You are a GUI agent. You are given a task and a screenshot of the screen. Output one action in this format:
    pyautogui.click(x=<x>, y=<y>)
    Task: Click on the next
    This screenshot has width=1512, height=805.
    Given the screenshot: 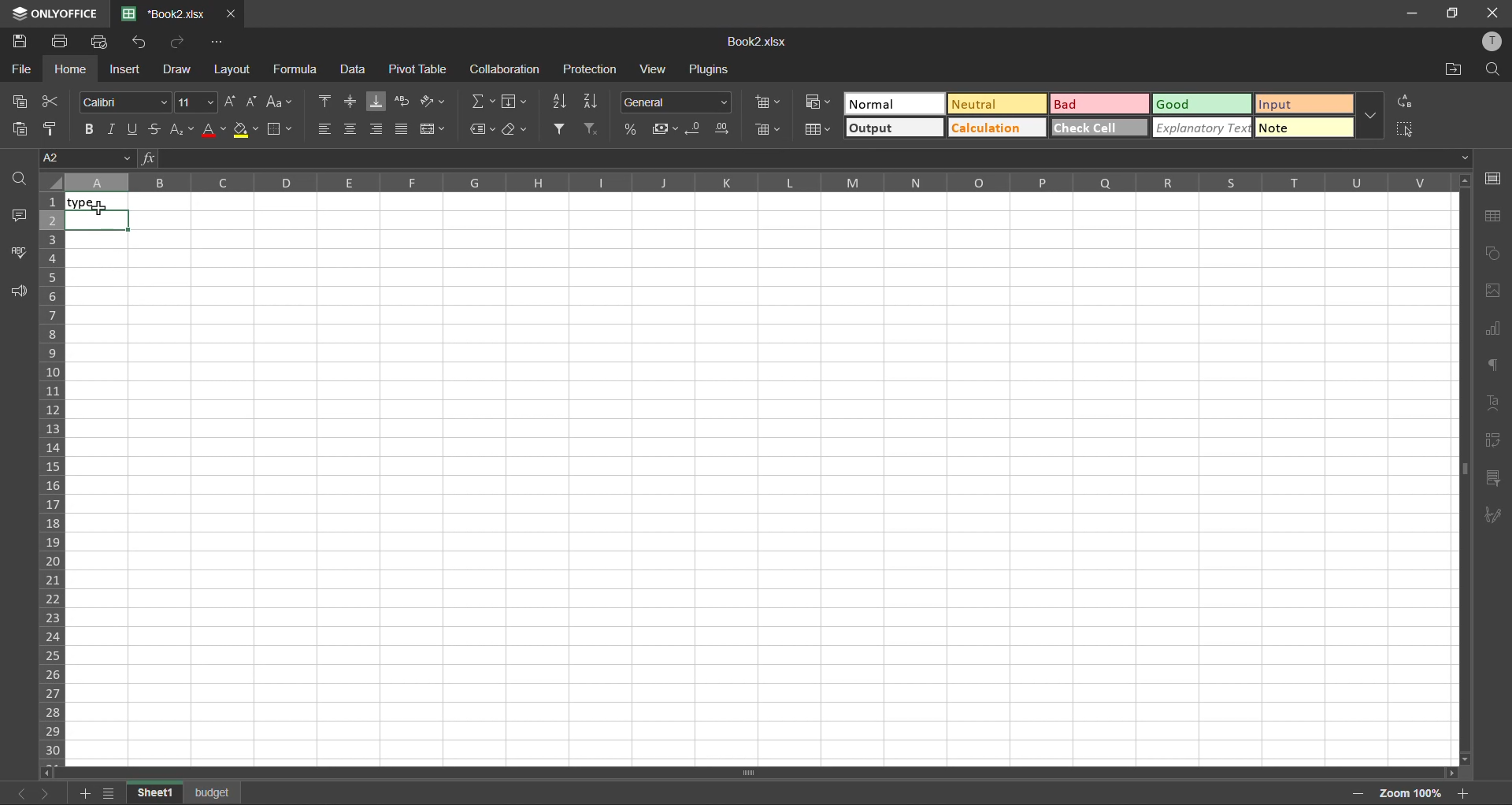 What is the action you would take?
    pyautogui.click(x=43, y=792)
    